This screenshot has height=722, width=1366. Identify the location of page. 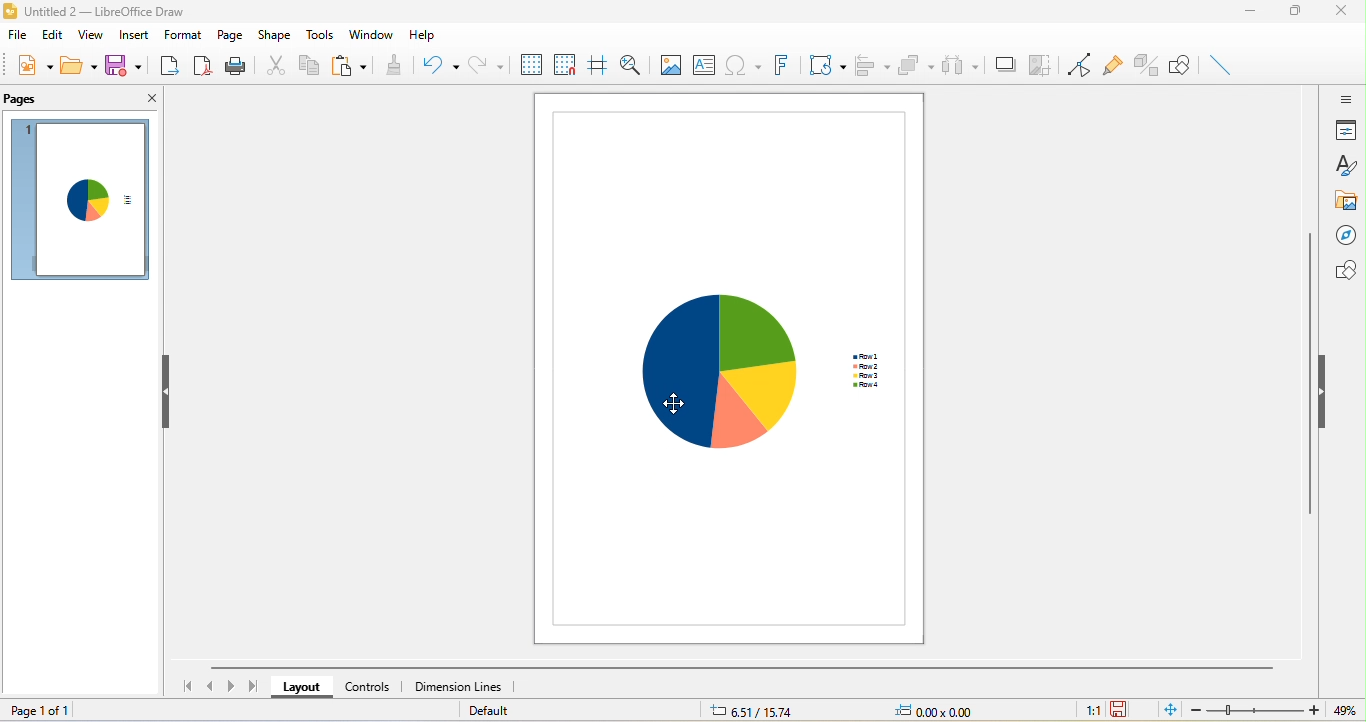
(231, 36).